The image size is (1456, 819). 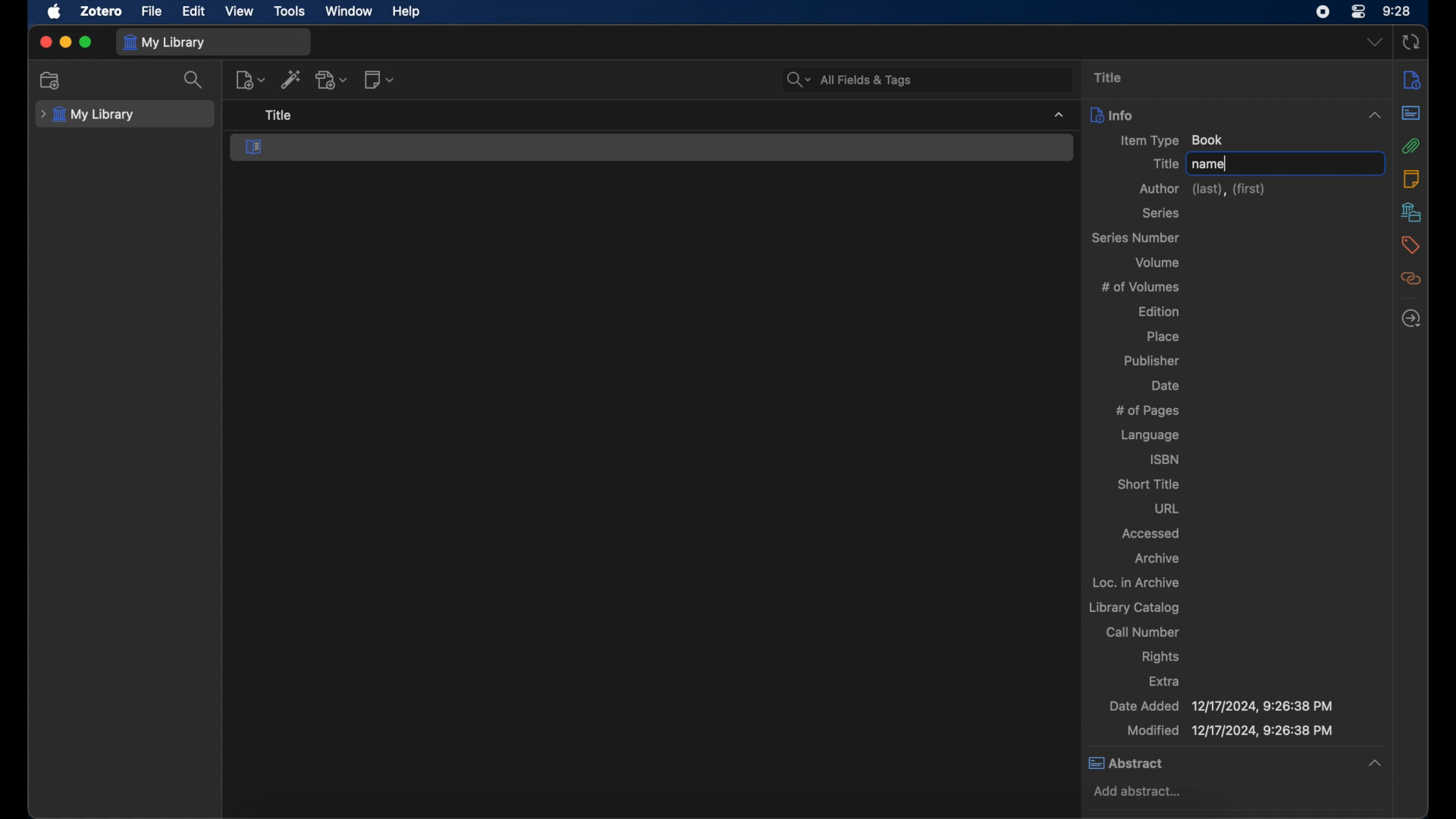 I want to click on abstract, so click(x=1235, y=764).